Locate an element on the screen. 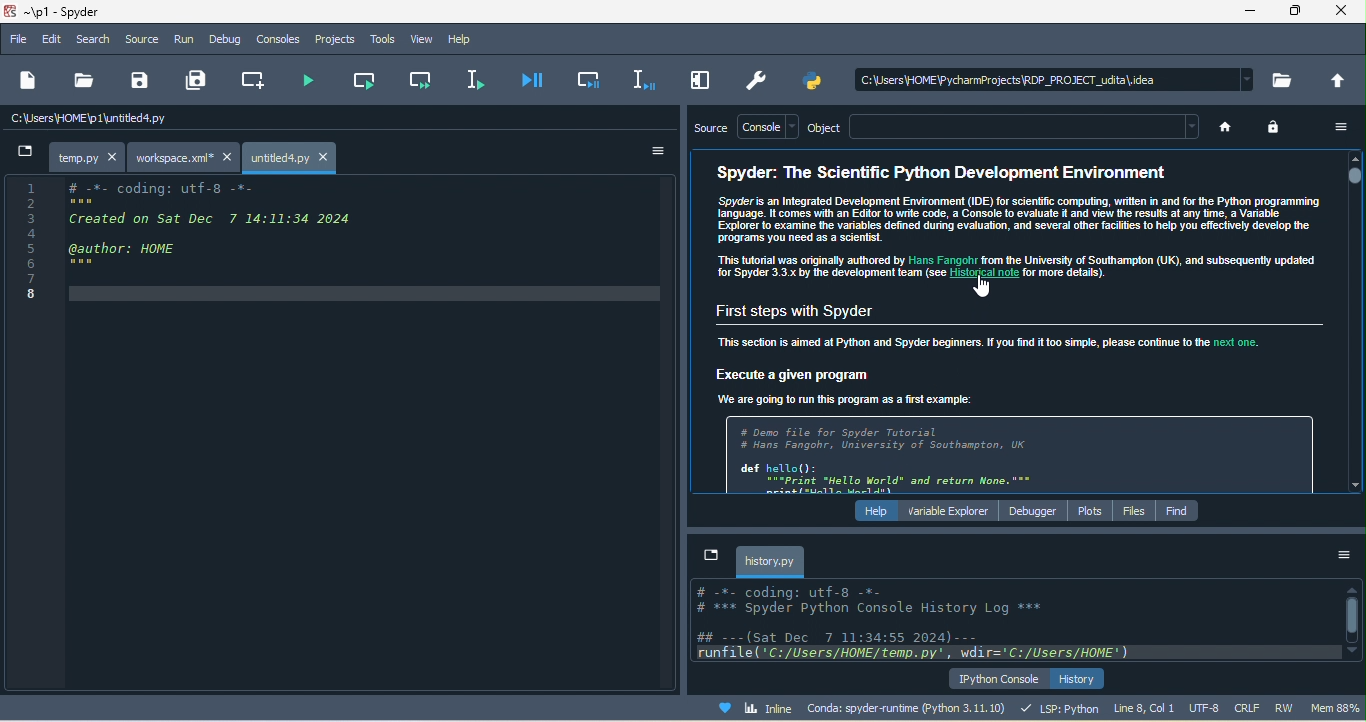  run is located at coordinates (184, 41).